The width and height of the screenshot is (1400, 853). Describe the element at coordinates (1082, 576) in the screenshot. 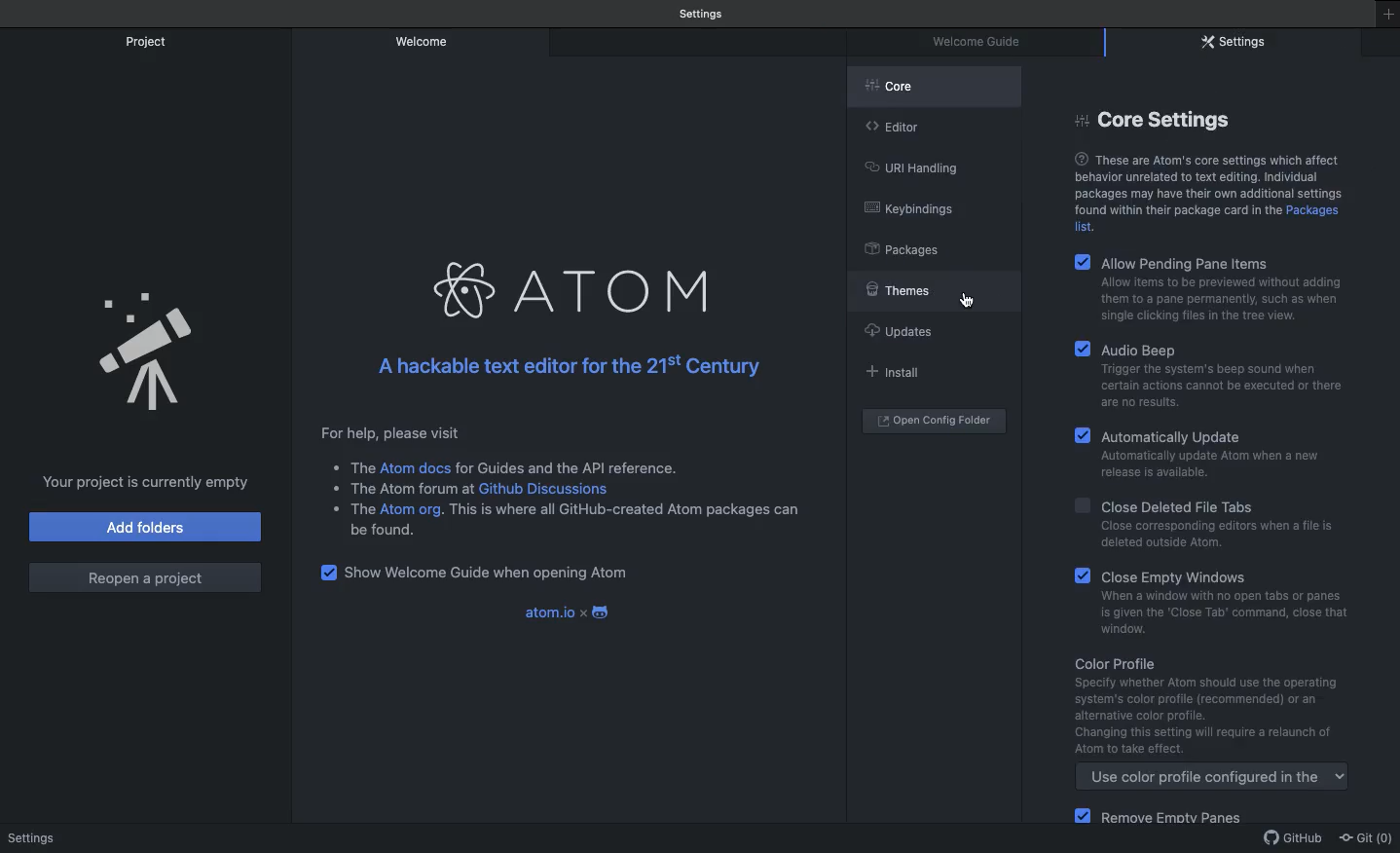

I see `enable checkbox` at that location.